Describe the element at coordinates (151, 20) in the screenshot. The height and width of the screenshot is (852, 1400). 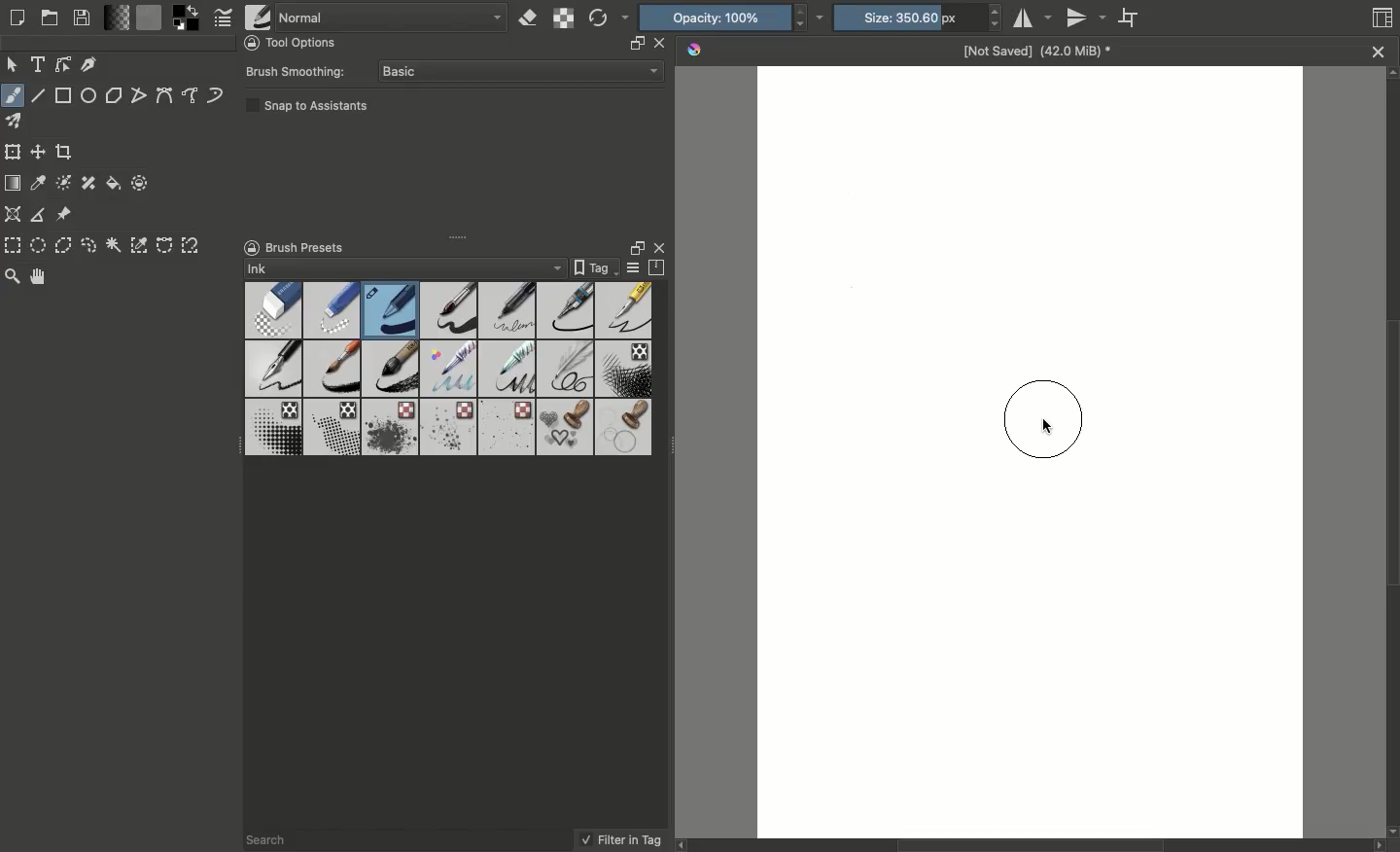
I see `Fill patterns` at that location.